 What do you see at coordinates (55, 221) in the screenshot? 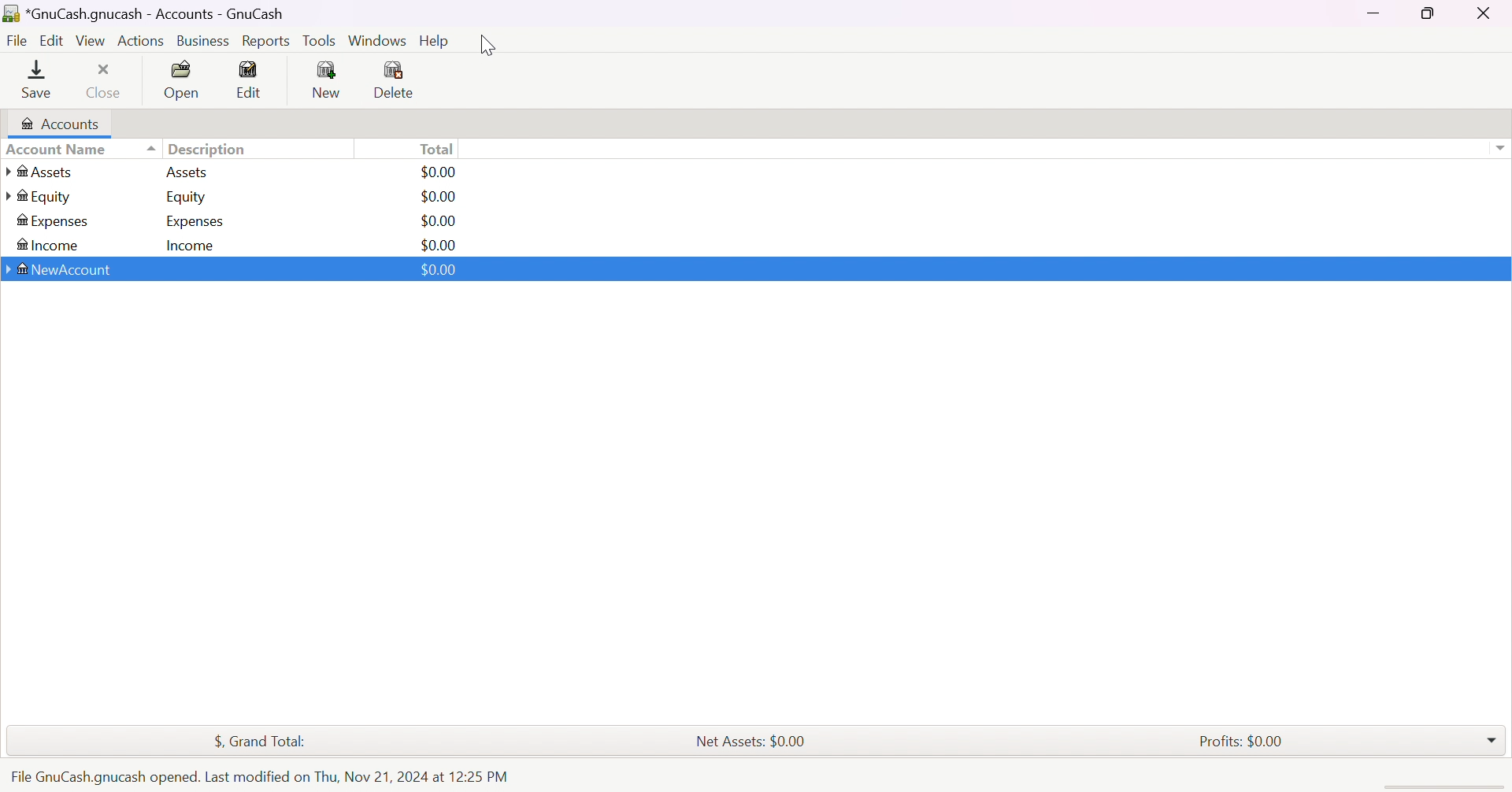
I see `Expenses` at bounding box center [55, 221].